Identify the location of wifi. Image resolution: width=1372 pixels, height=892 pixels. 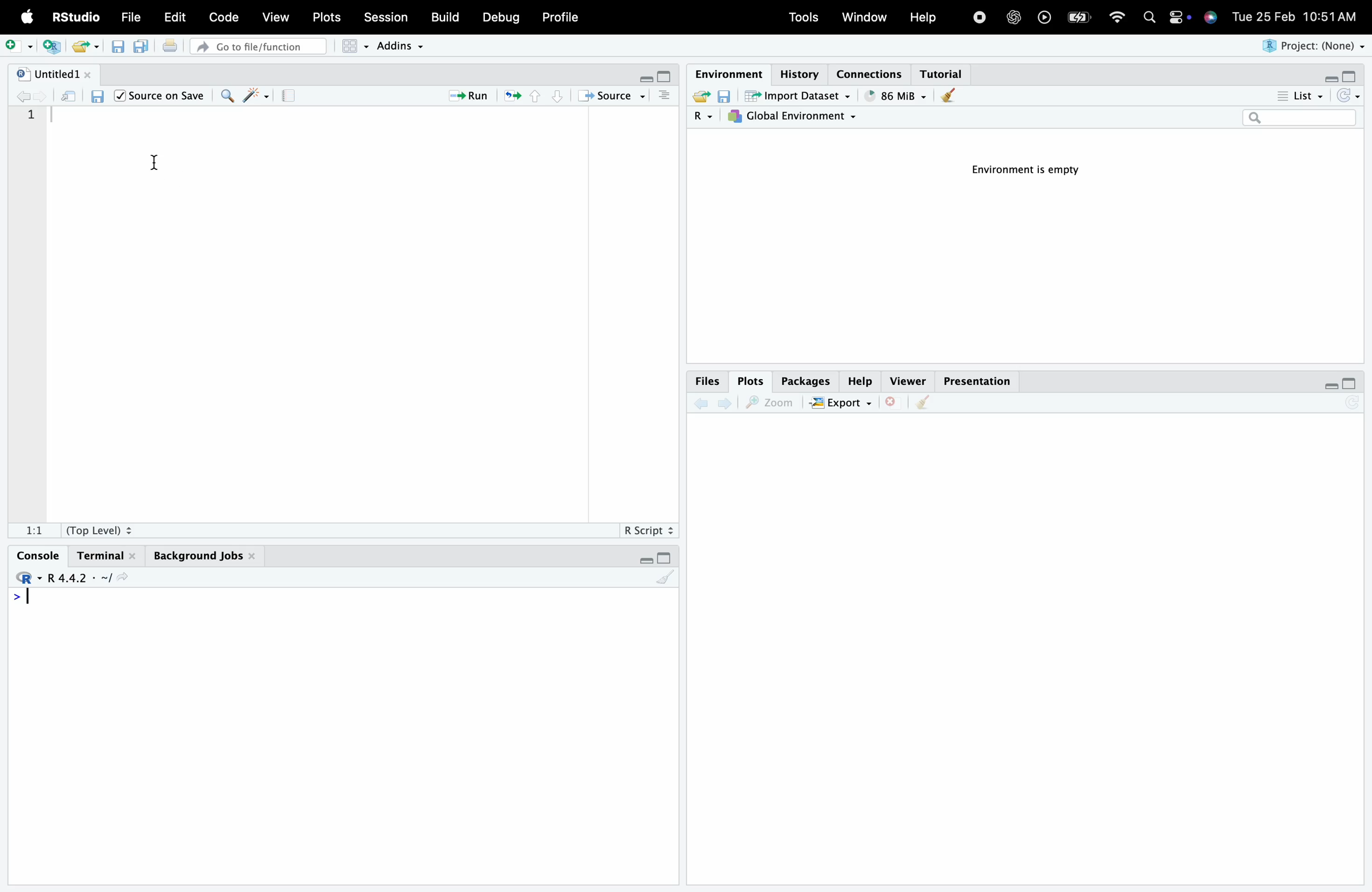
(1121, 18).